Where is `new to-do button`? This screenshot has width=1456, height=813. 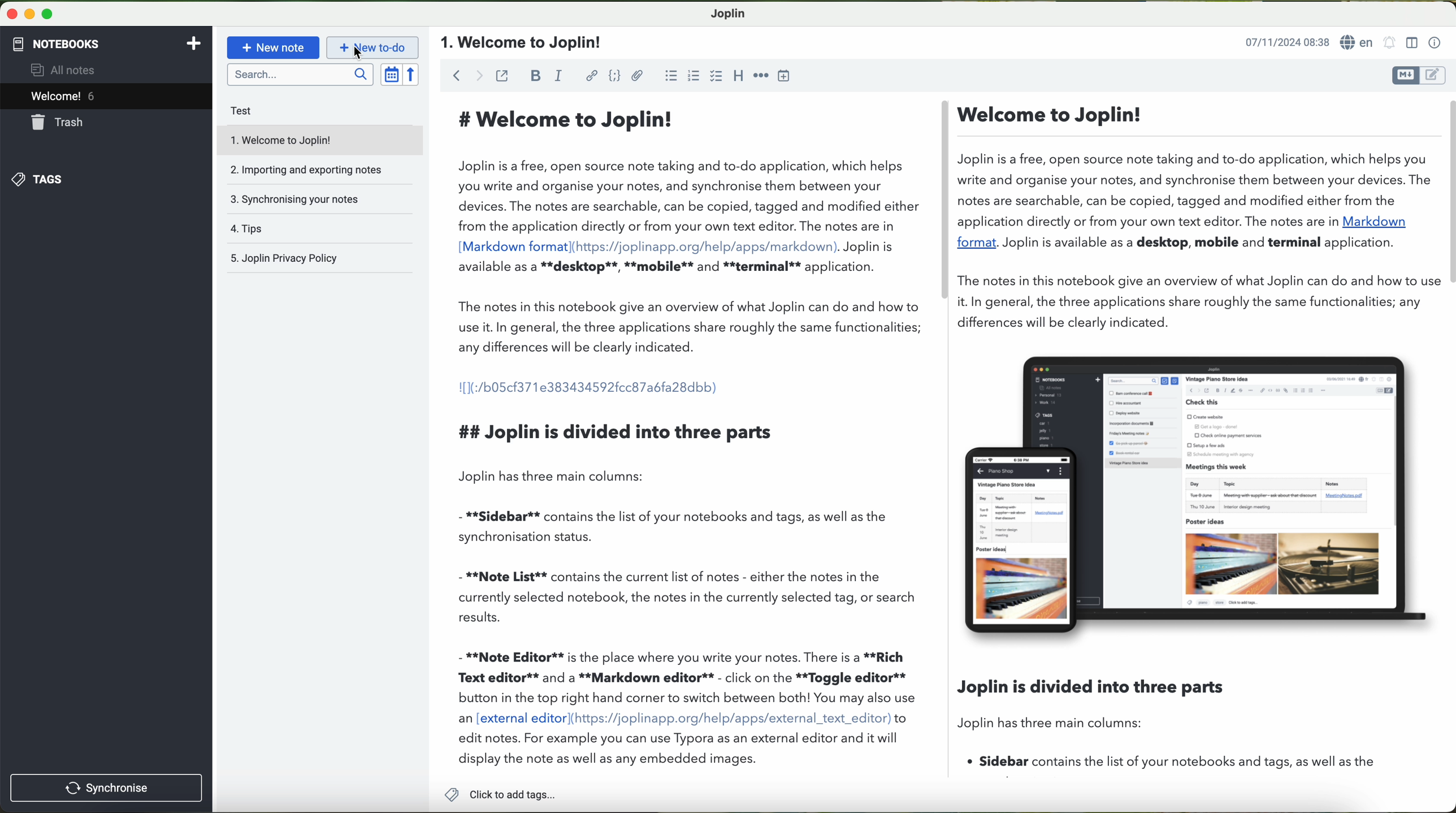 new to-do button is located at coordinates (373, 49).